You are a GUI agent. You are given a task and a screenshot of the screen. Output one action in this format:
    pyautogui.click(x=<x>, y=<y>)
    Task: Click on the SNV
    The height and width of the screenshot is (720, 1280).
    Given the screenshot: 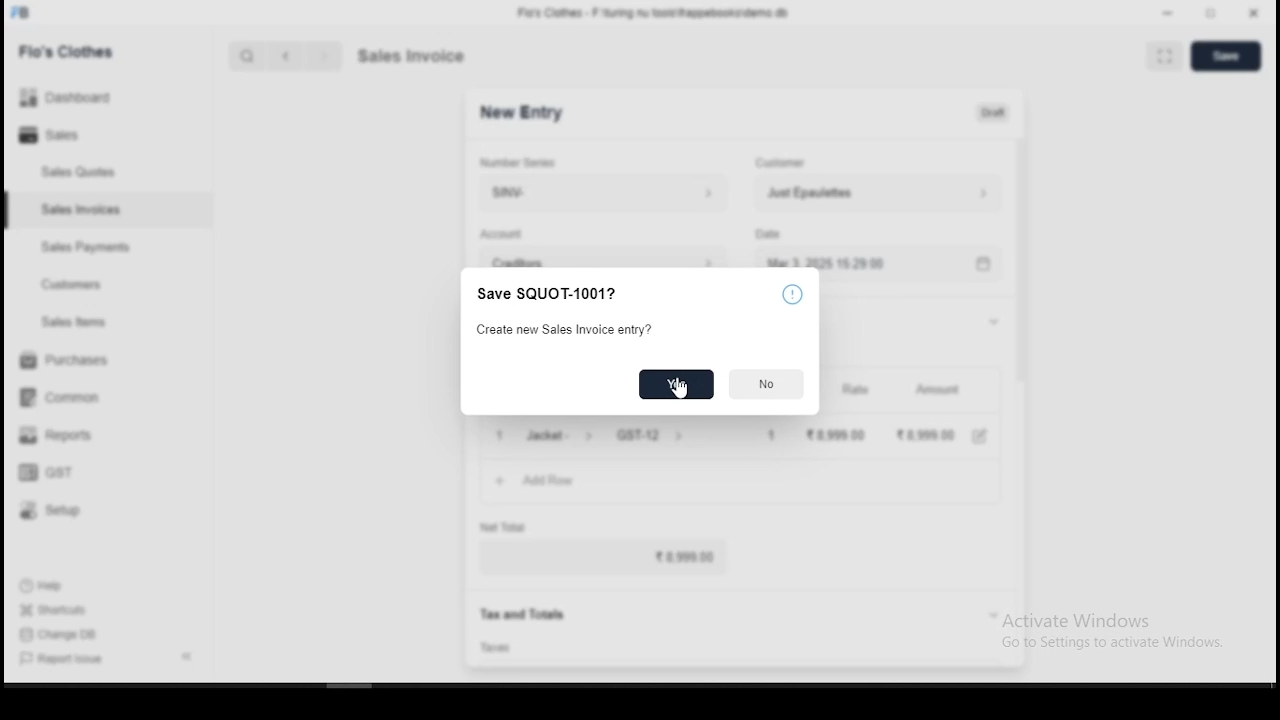 What is the action you would take?
    pyautogui.click(x=599, y=193)
    